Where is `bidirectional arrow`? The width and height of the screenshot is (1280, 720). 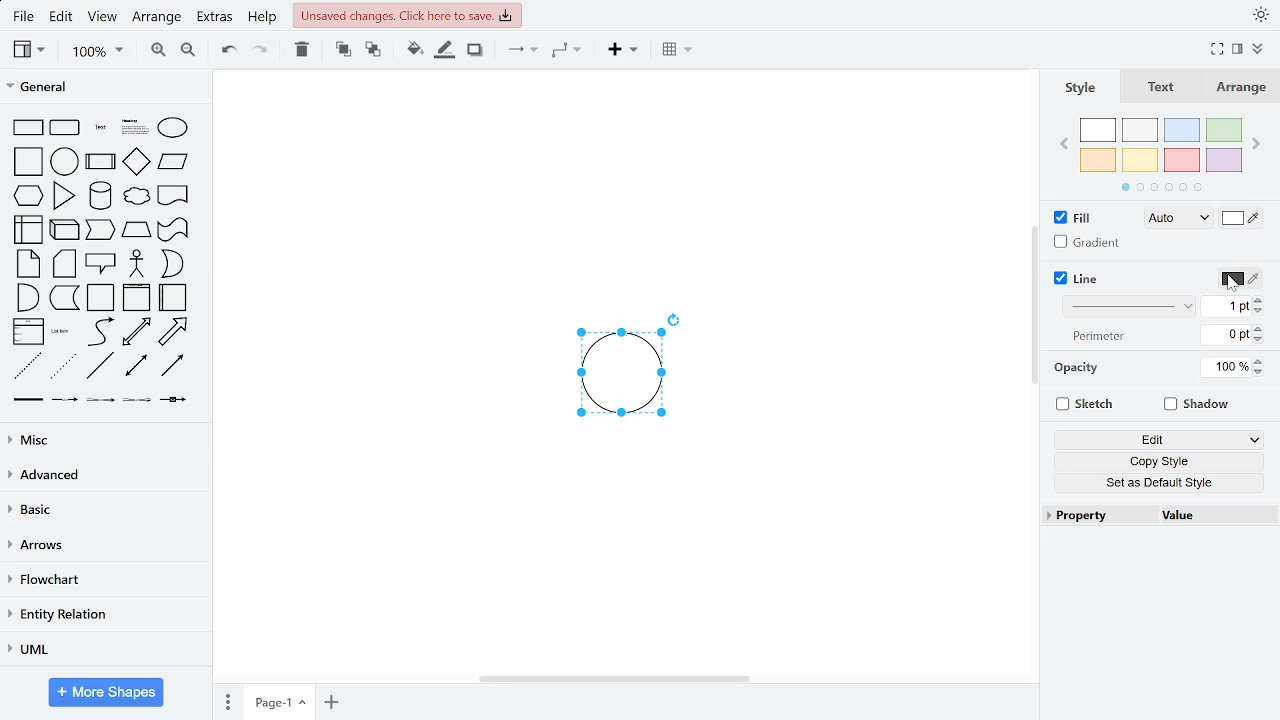
bidirectional arrow is located at coordinates (135, 333).